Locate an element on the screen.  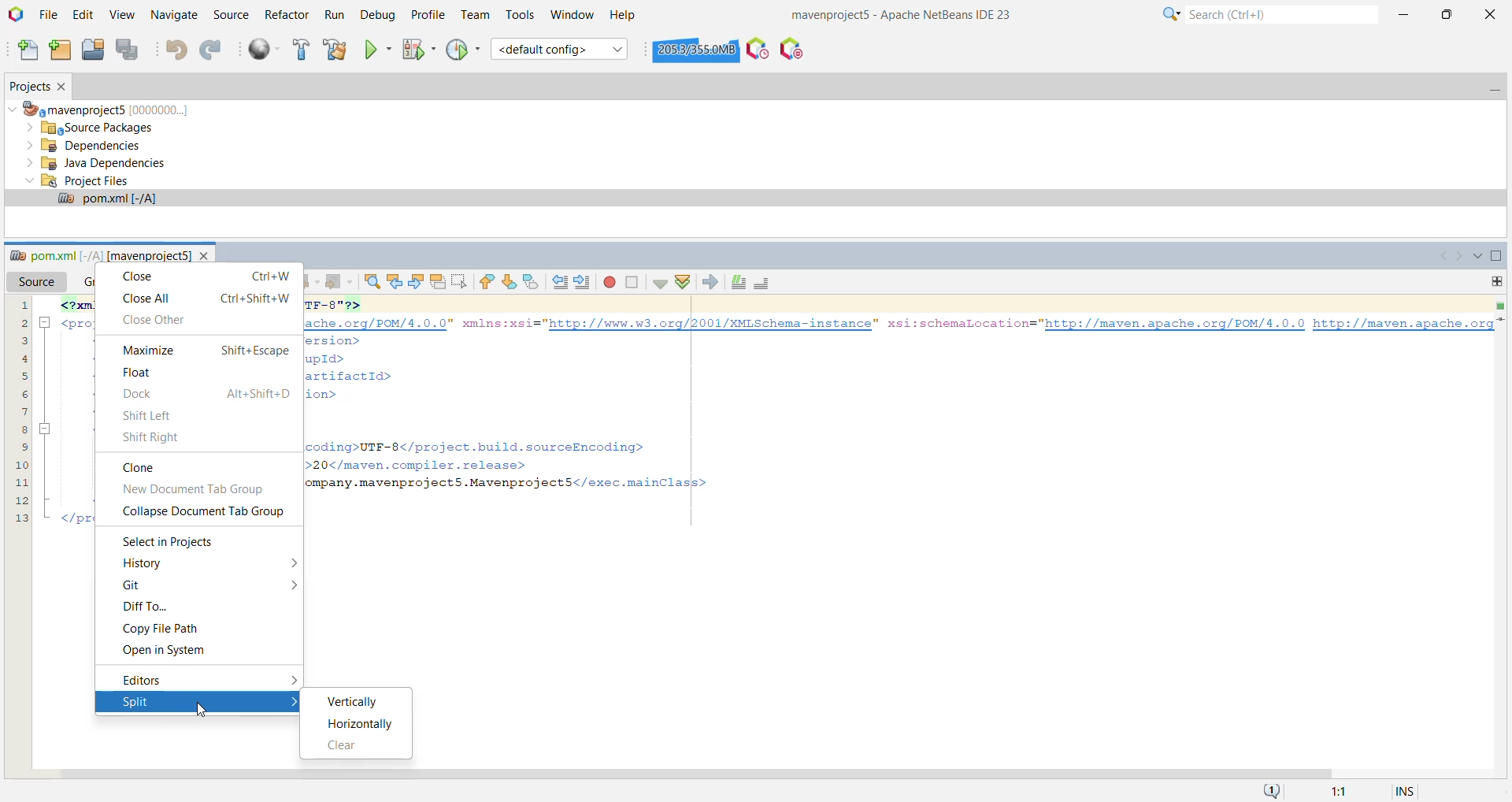
cursor is located at coordinates (202, 715).